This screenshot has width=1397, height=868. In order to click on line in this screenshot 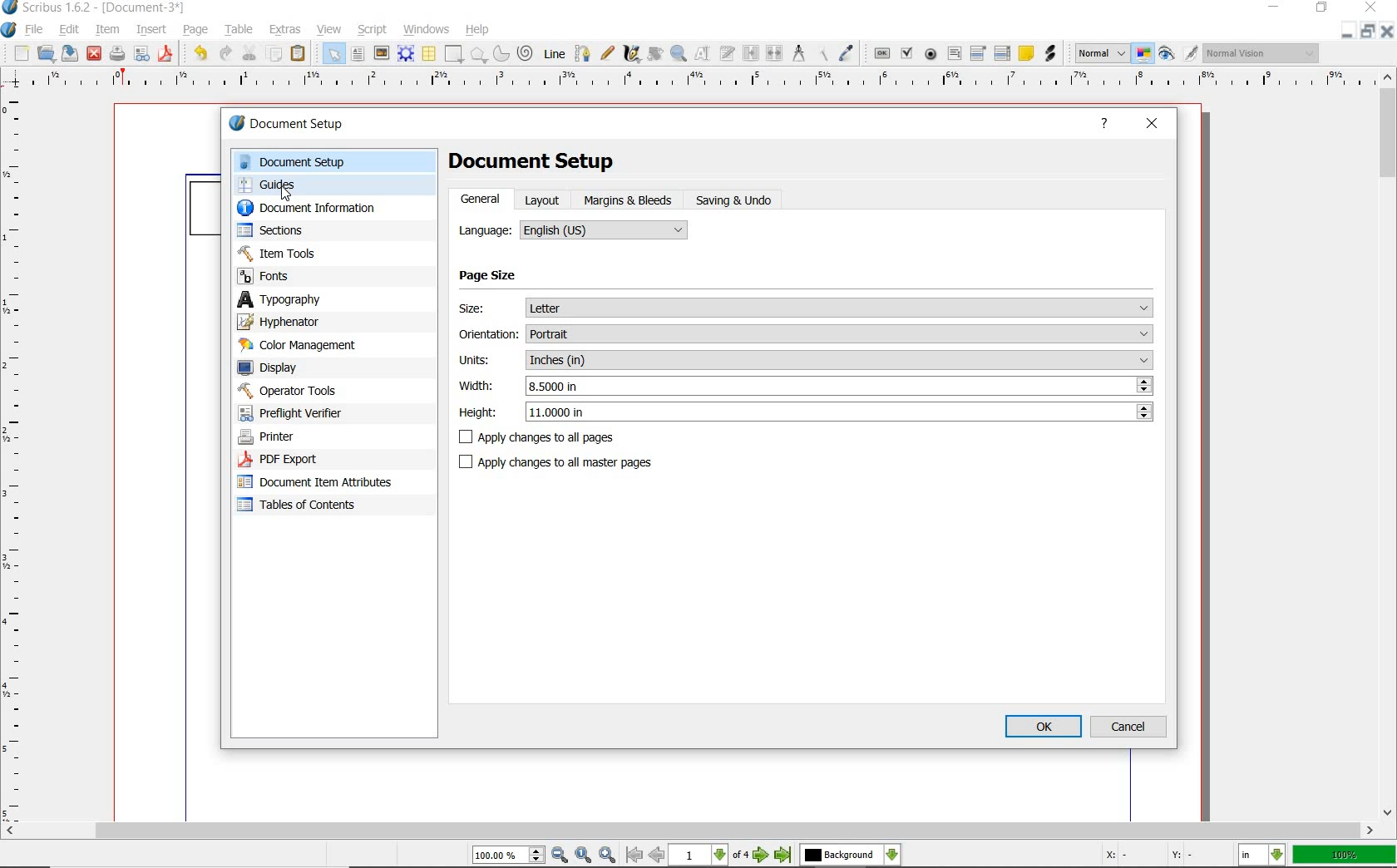, I will do `click(554, 52)`.